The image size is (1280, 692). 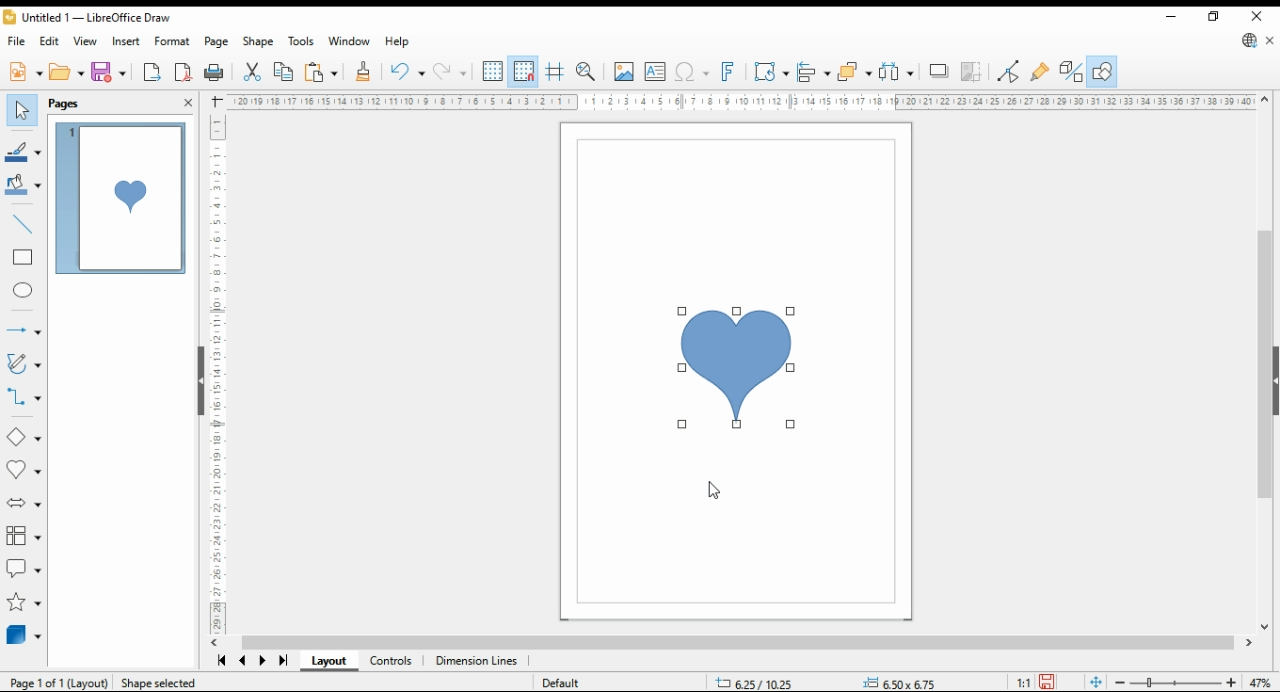 I want to click on pages, so click(x=80, y=103).